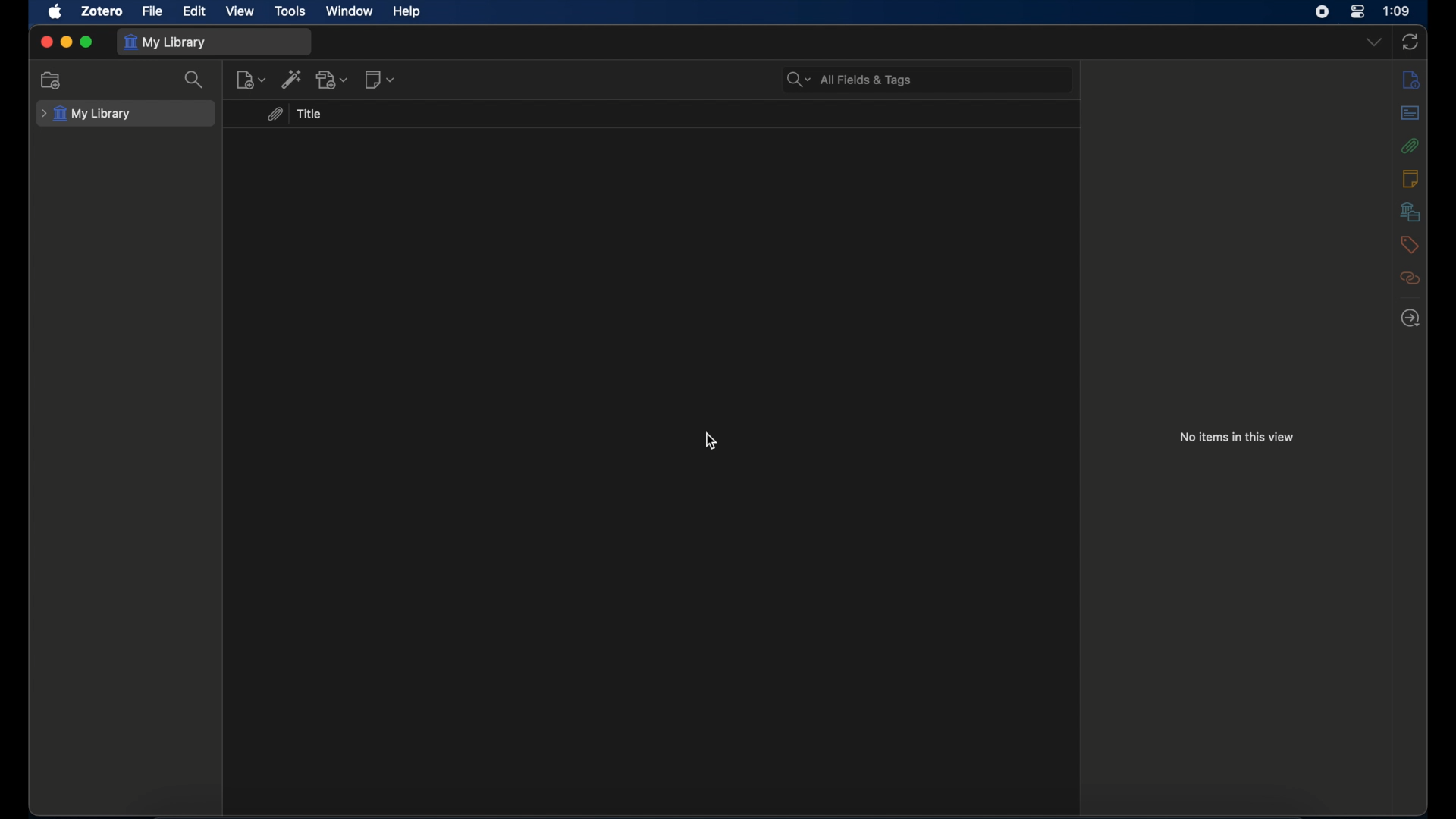 The height and width of the screenshot is (819, 1456). What do you see at coordinates (102, 12) in the screenshot?
I see `zotero` at bounding box center [102, 12].